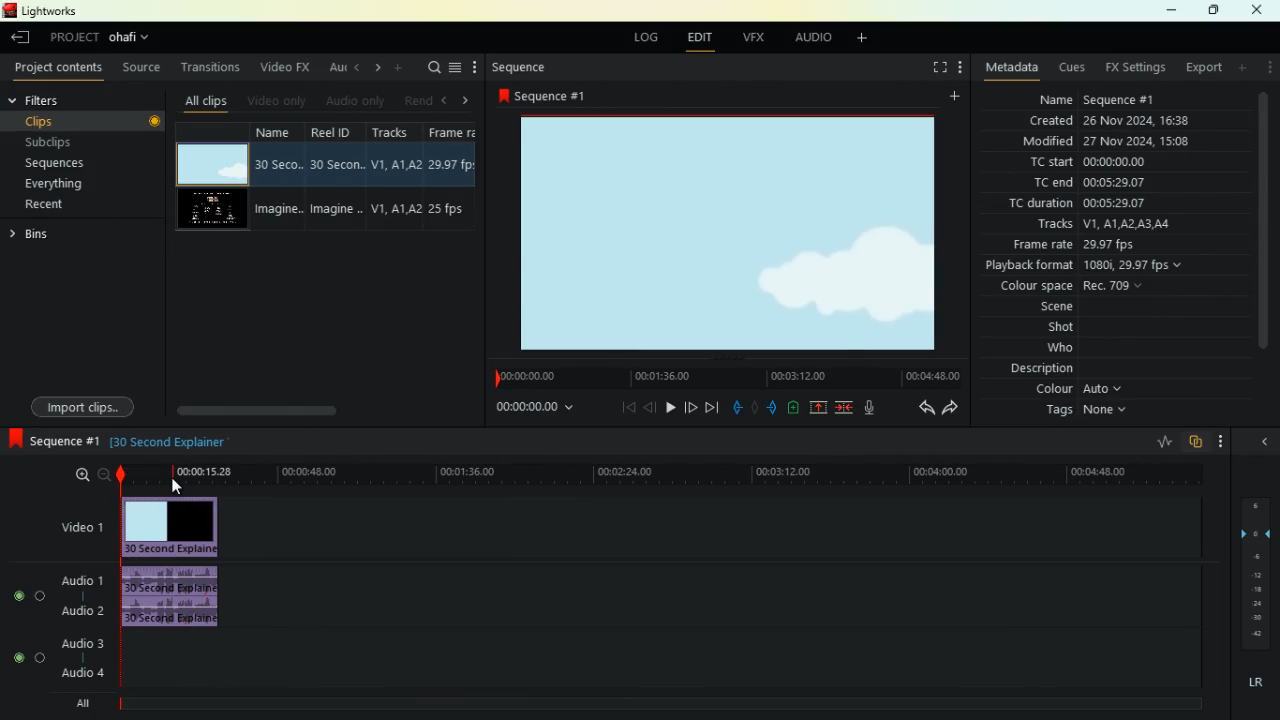 The image size is (1280, 720). Describe the element at coordinates (954, 411) in the screenshot. I see `forward` at that location.